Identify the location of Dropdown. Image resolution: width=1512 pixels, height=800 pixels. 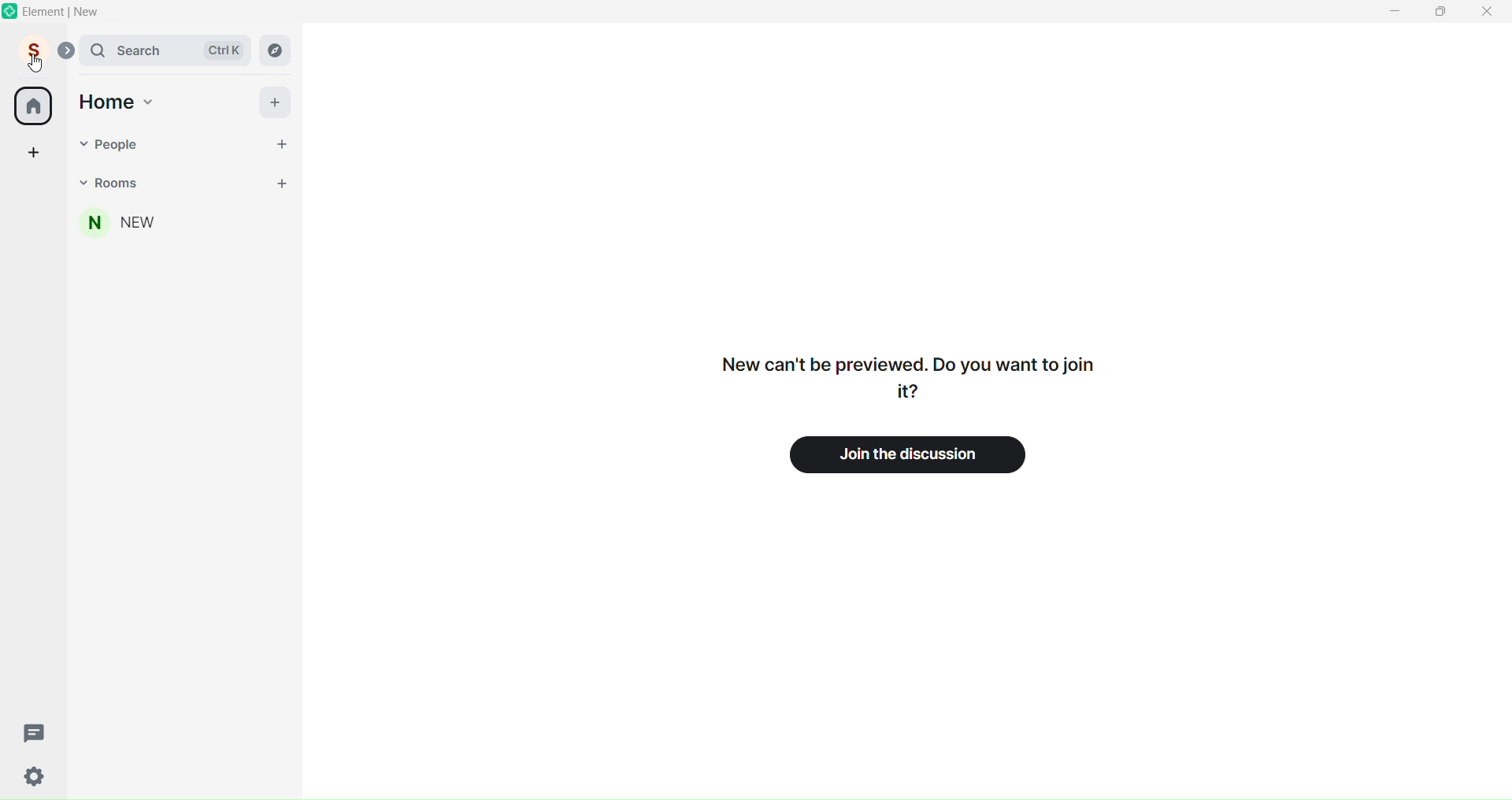
(82, 181).